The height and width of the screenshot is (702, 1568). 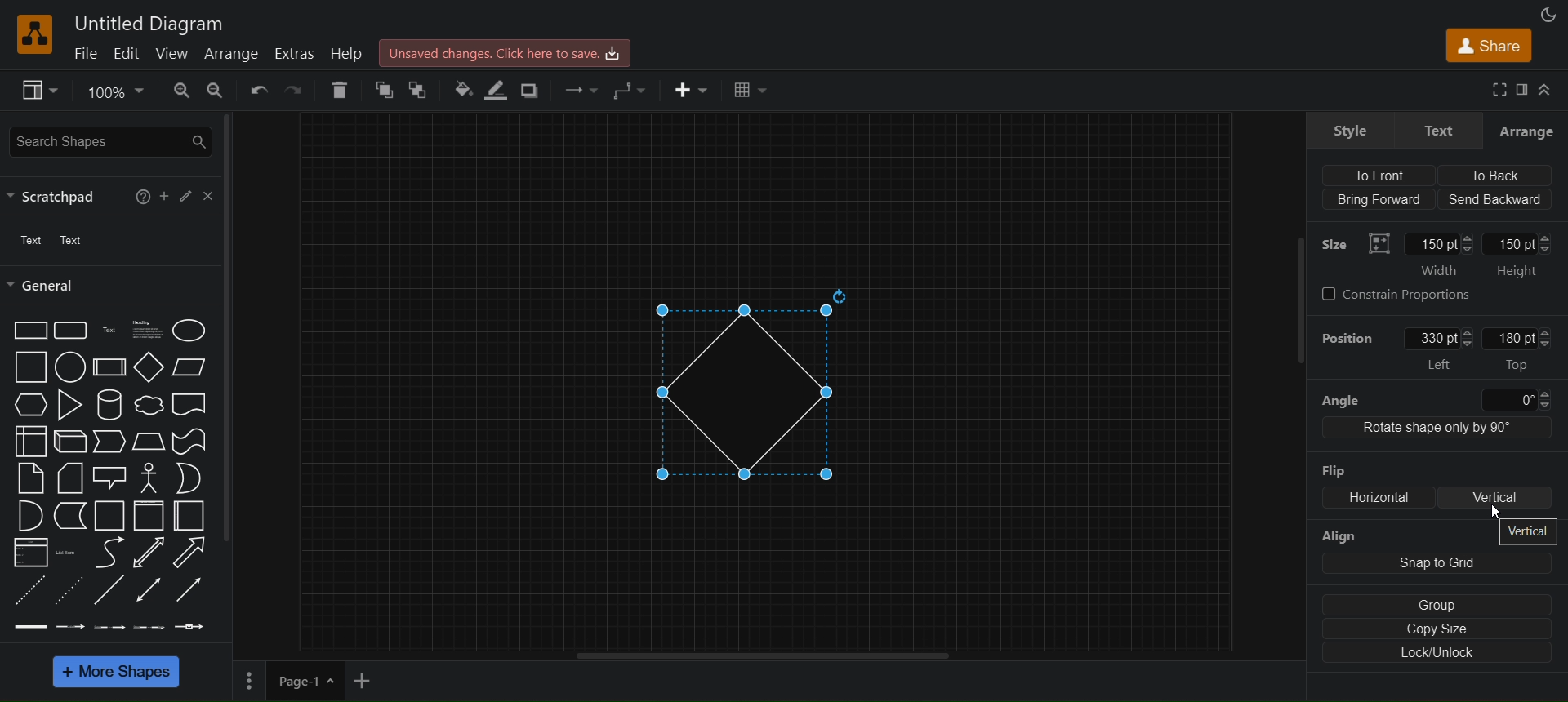 What do you see at coordinates (31, 330) in the screenshot?
I see `rectangle` at bounding box center [31, 330].